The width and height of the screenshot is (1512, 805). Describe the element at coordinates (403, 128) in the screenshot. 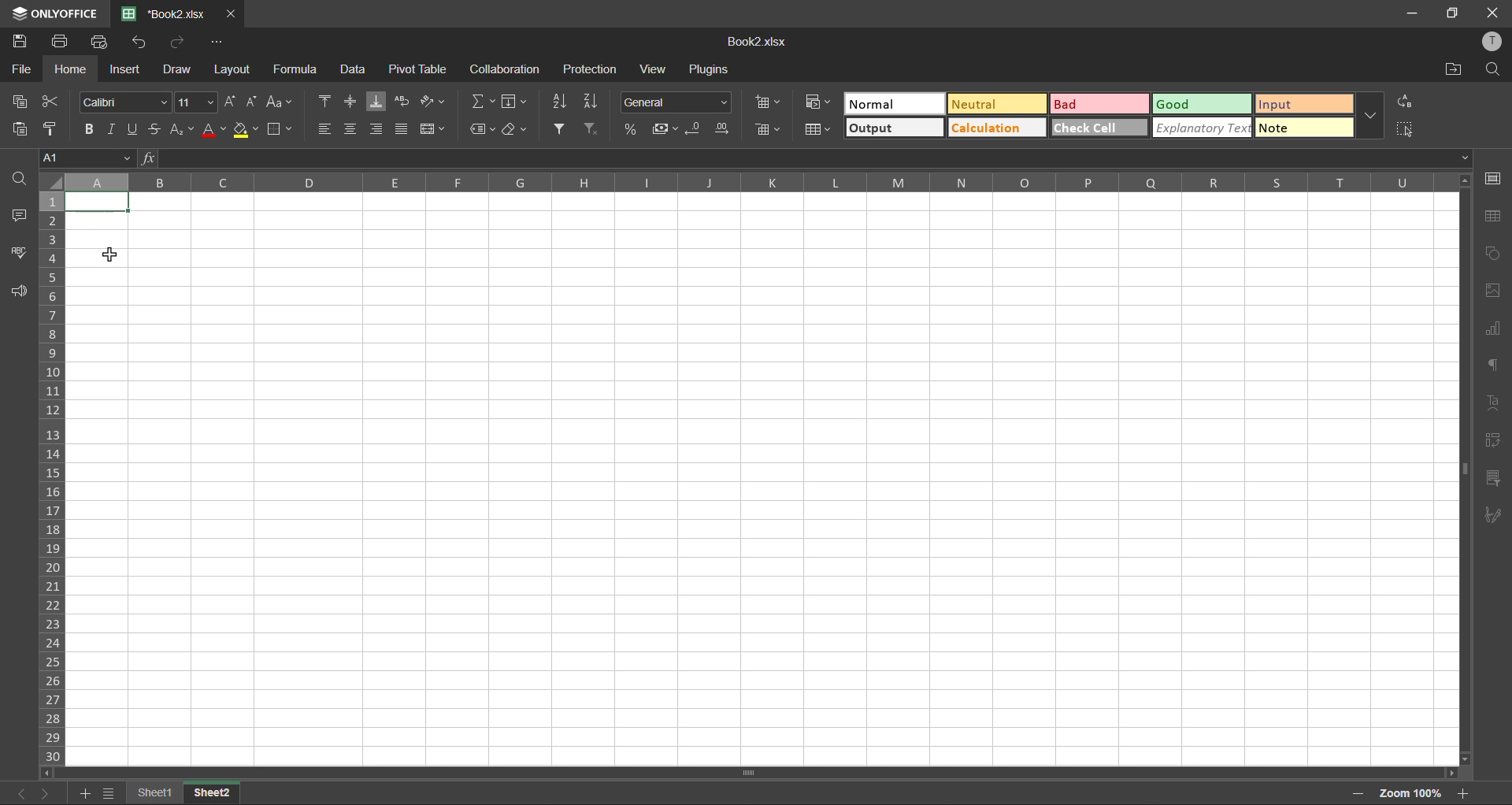

I see `justified` at that location.